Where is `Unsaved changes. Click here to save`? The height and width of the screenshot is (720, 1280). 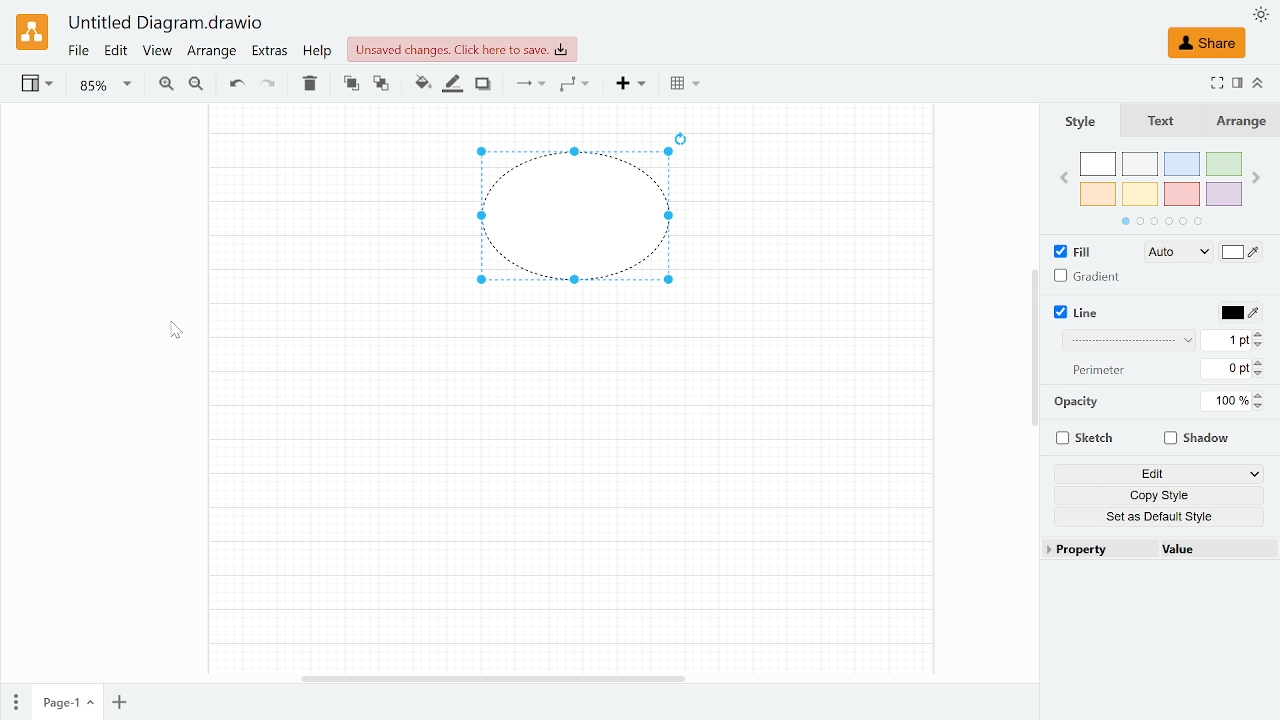
Unsaved changes. Click here to save is located at coordinates (457, 49).